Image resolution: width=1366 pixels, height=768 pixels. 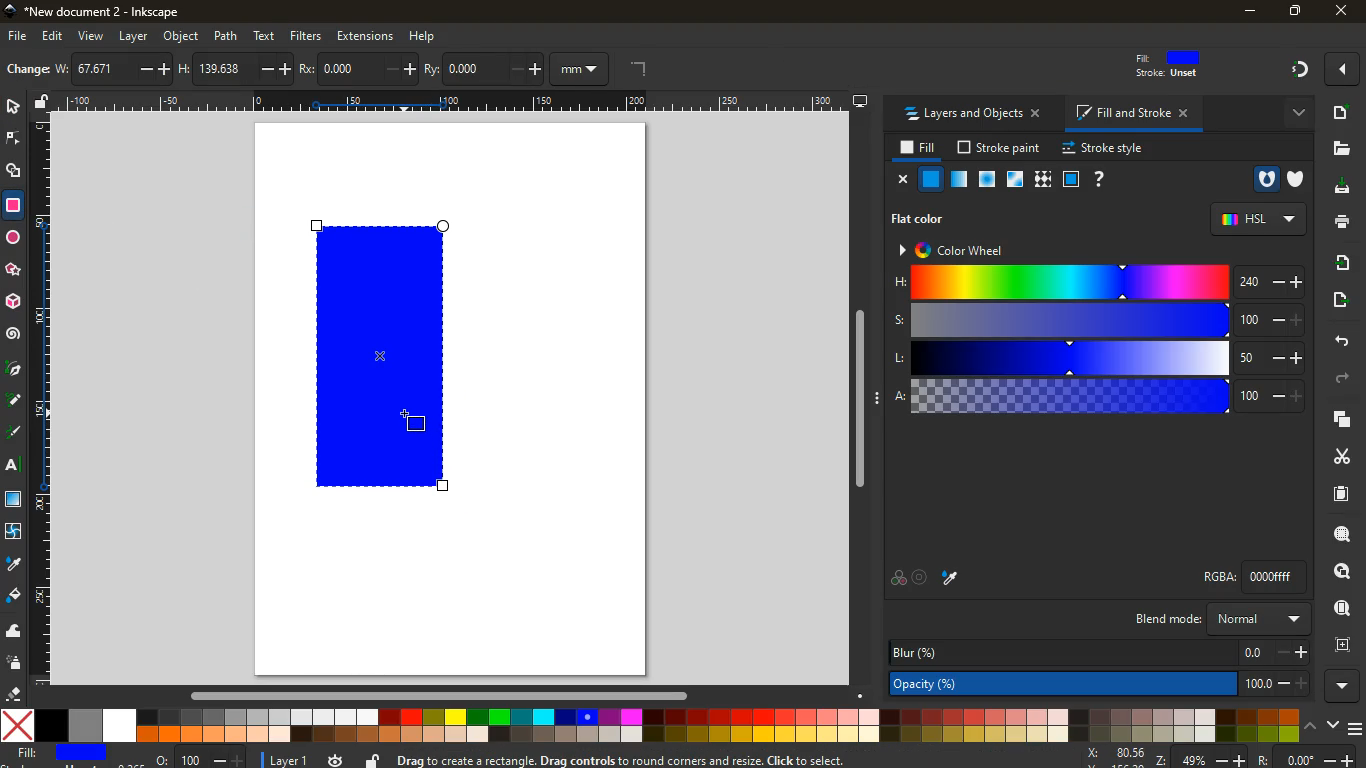 I want to click on stroke paint, so click(x=1002, y=147).